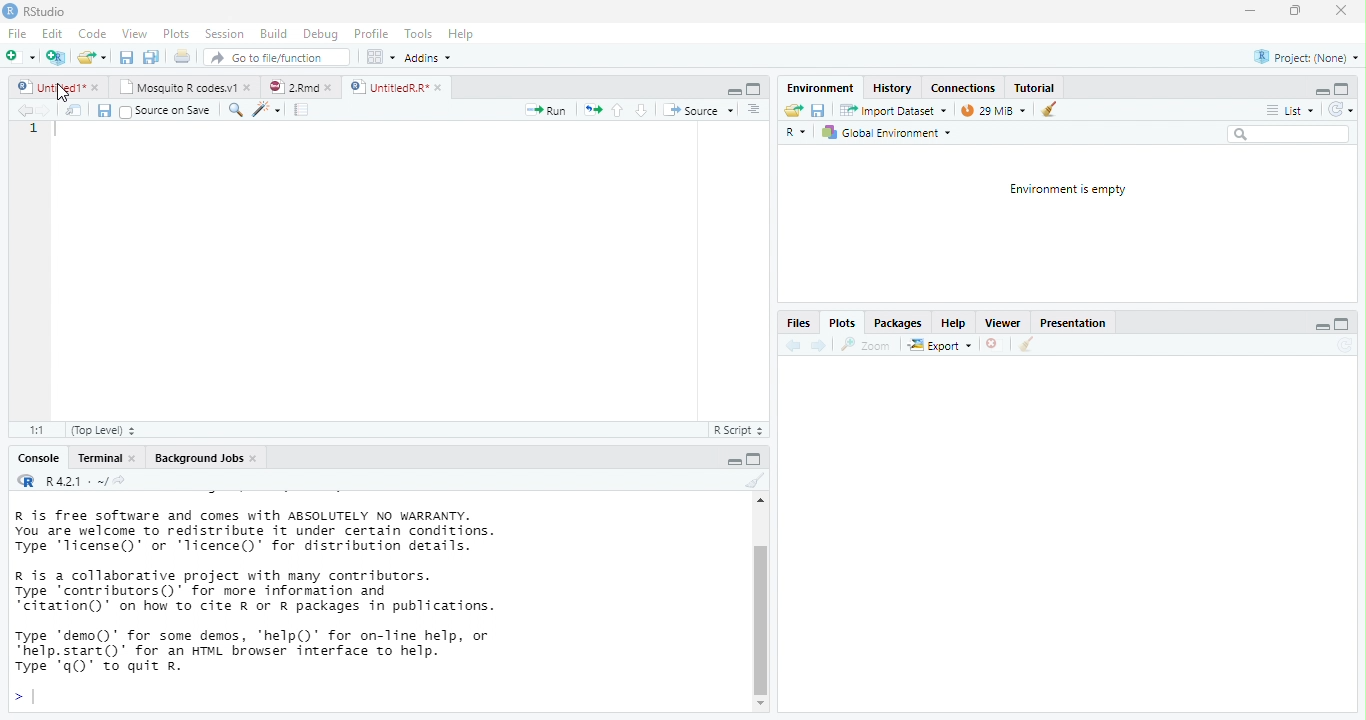 This screenshot has width=1366, height=720. I want to click on maximize, so click(1340, 325).